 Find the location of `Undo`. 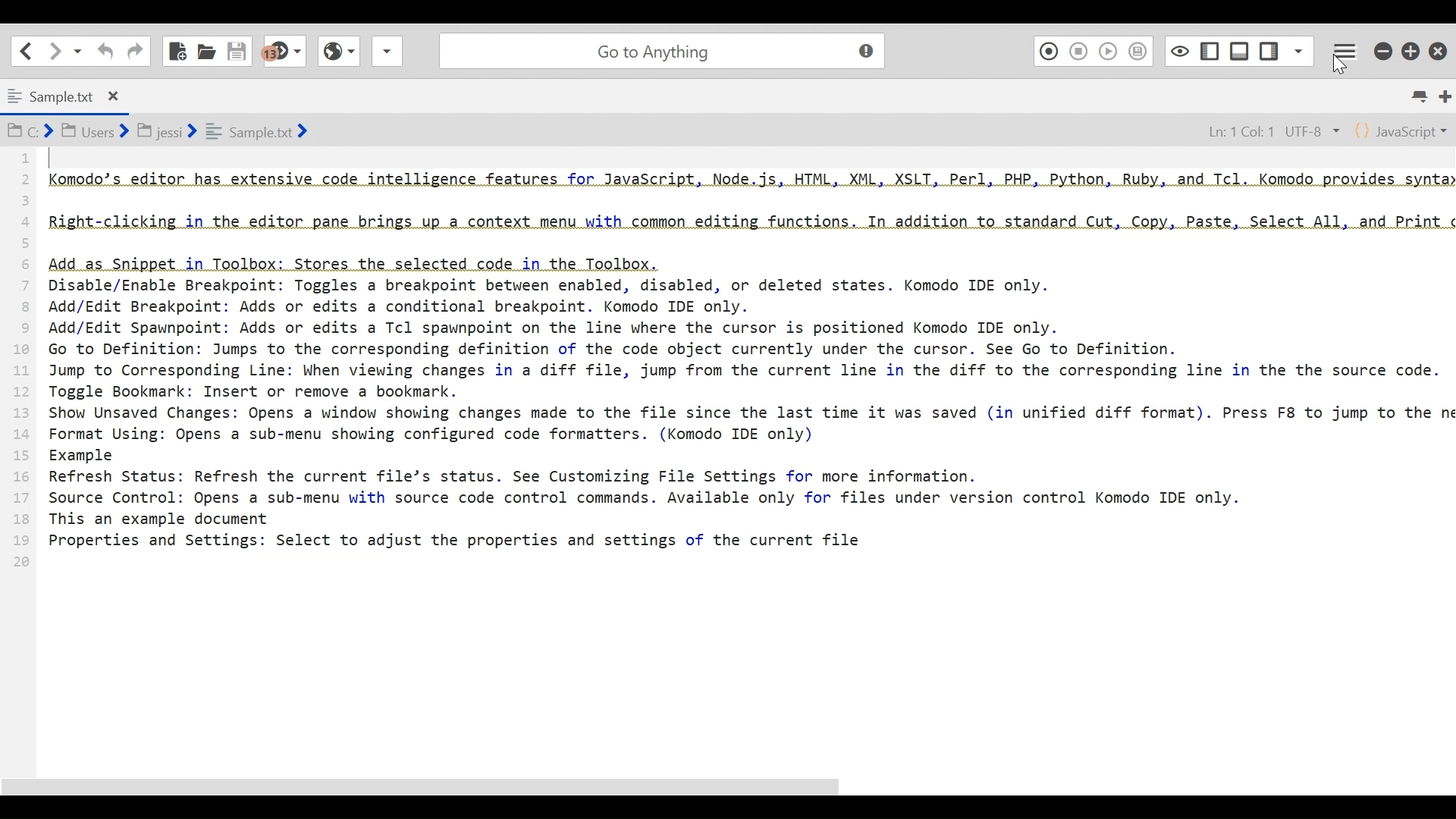

Undo is located at coordinates (104, 51).